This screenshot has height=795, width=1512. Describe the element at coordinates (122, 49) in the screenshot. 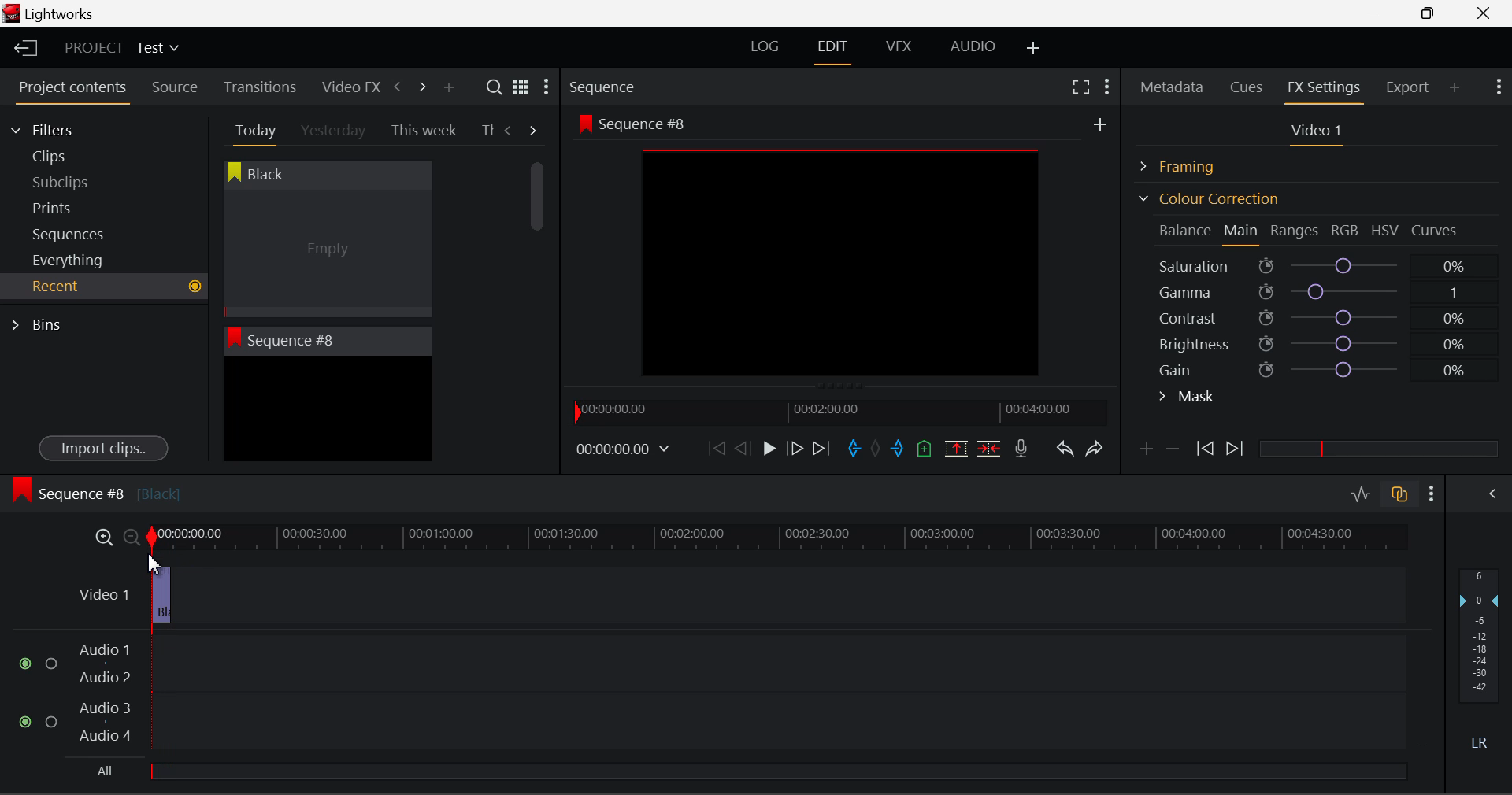

I see `Project Title` at that location.